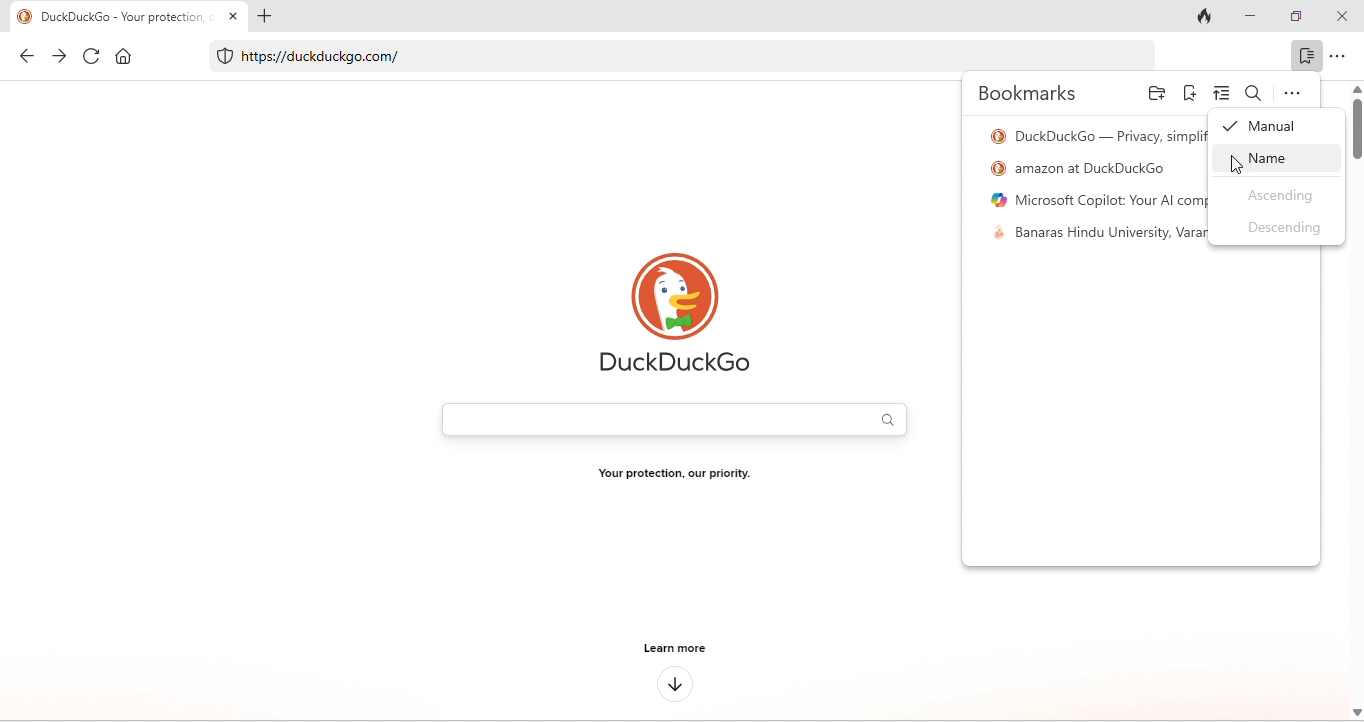 This screenshot has width=1364, height=722. What do you see at coordinates (1283, 230) in the screenshot?
I see `descending` at bounding box center [1283, 230].